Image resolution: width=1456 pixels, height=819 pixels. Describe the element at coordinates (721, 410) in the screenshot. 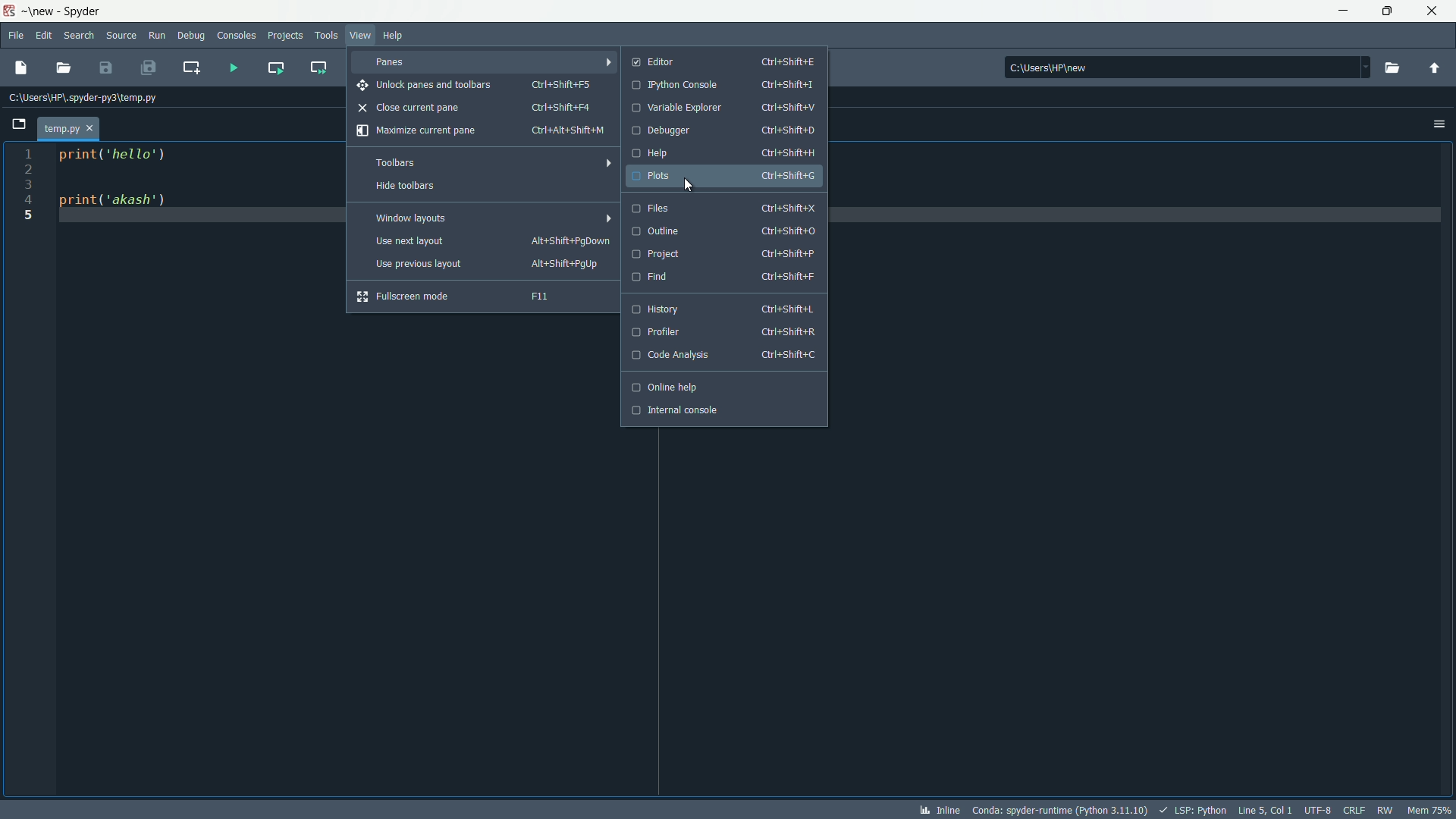

I see `internal console` at that location.